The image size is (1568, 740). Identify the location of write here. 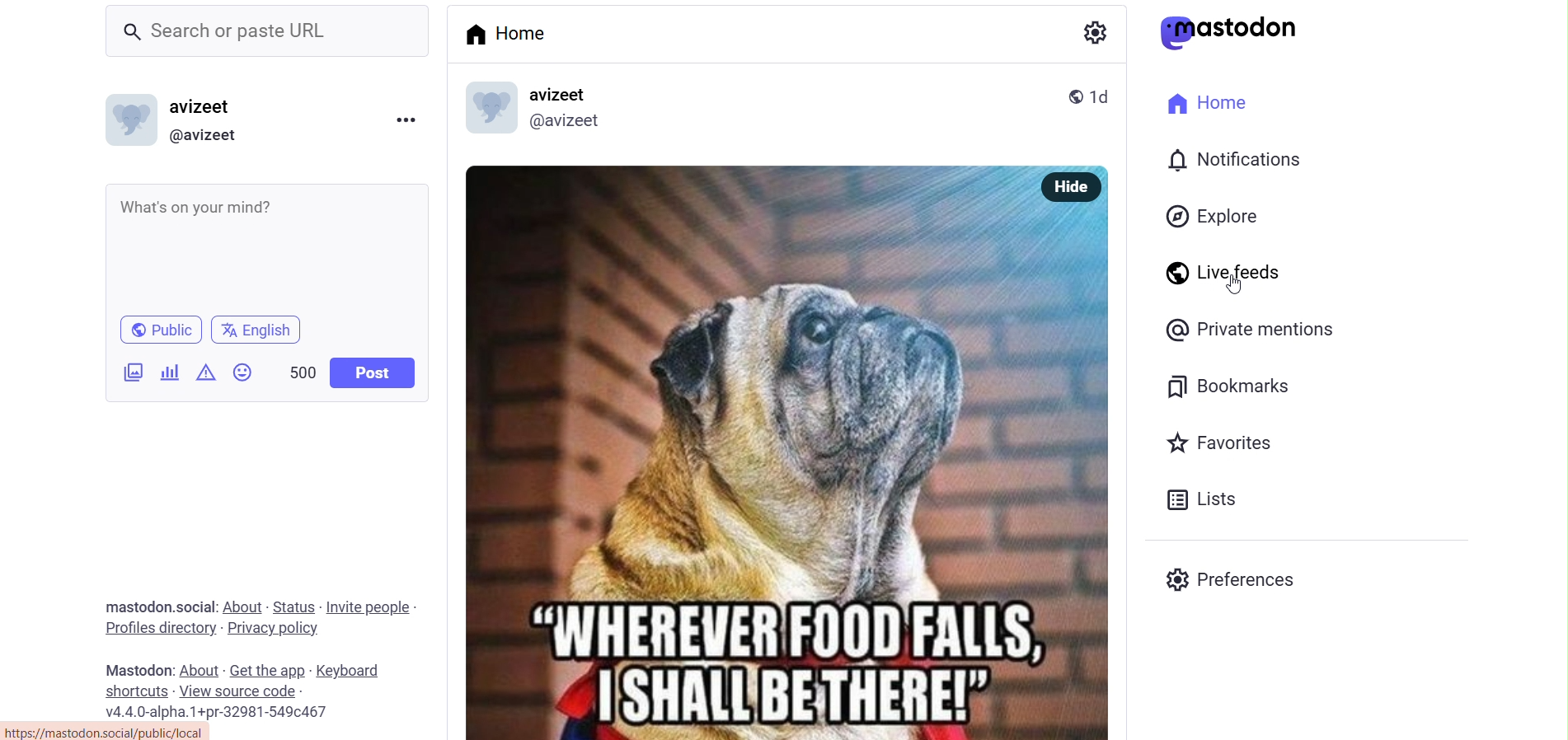
(273, 248).